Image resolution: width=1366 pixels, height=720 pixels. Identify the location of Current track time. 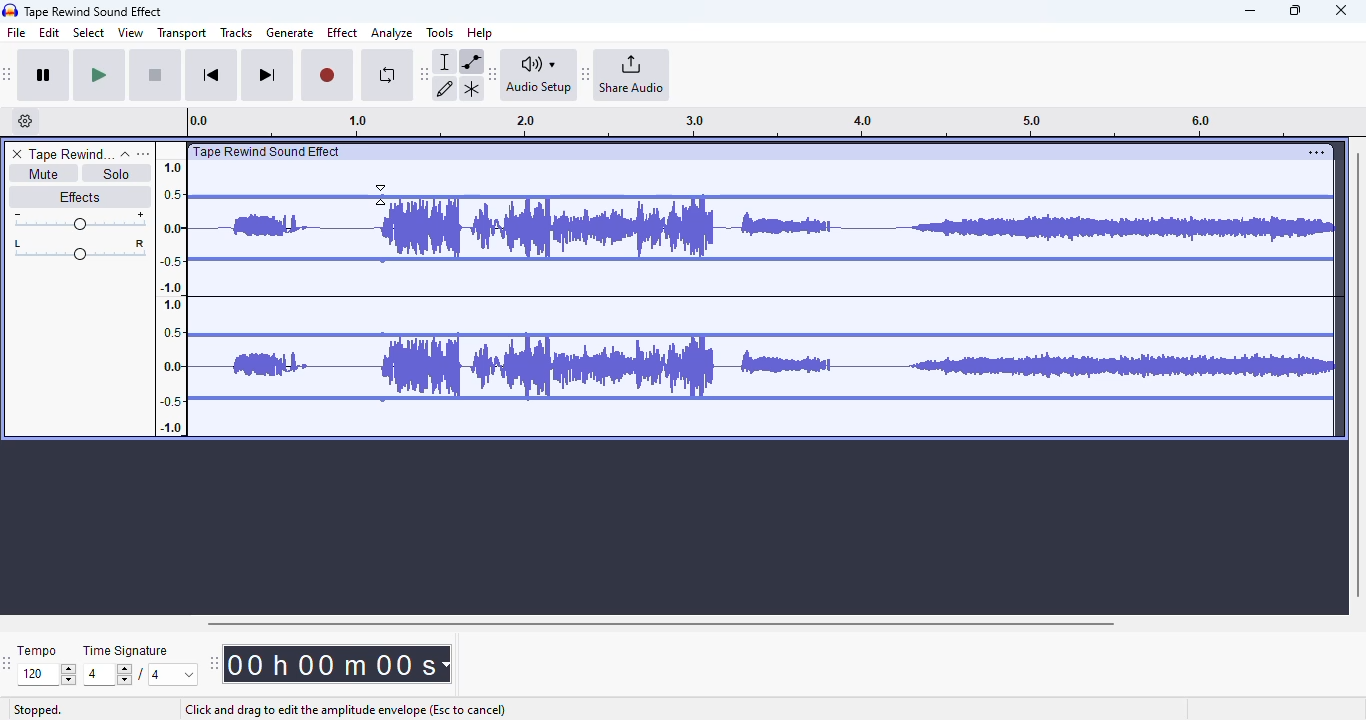
(329, 664).